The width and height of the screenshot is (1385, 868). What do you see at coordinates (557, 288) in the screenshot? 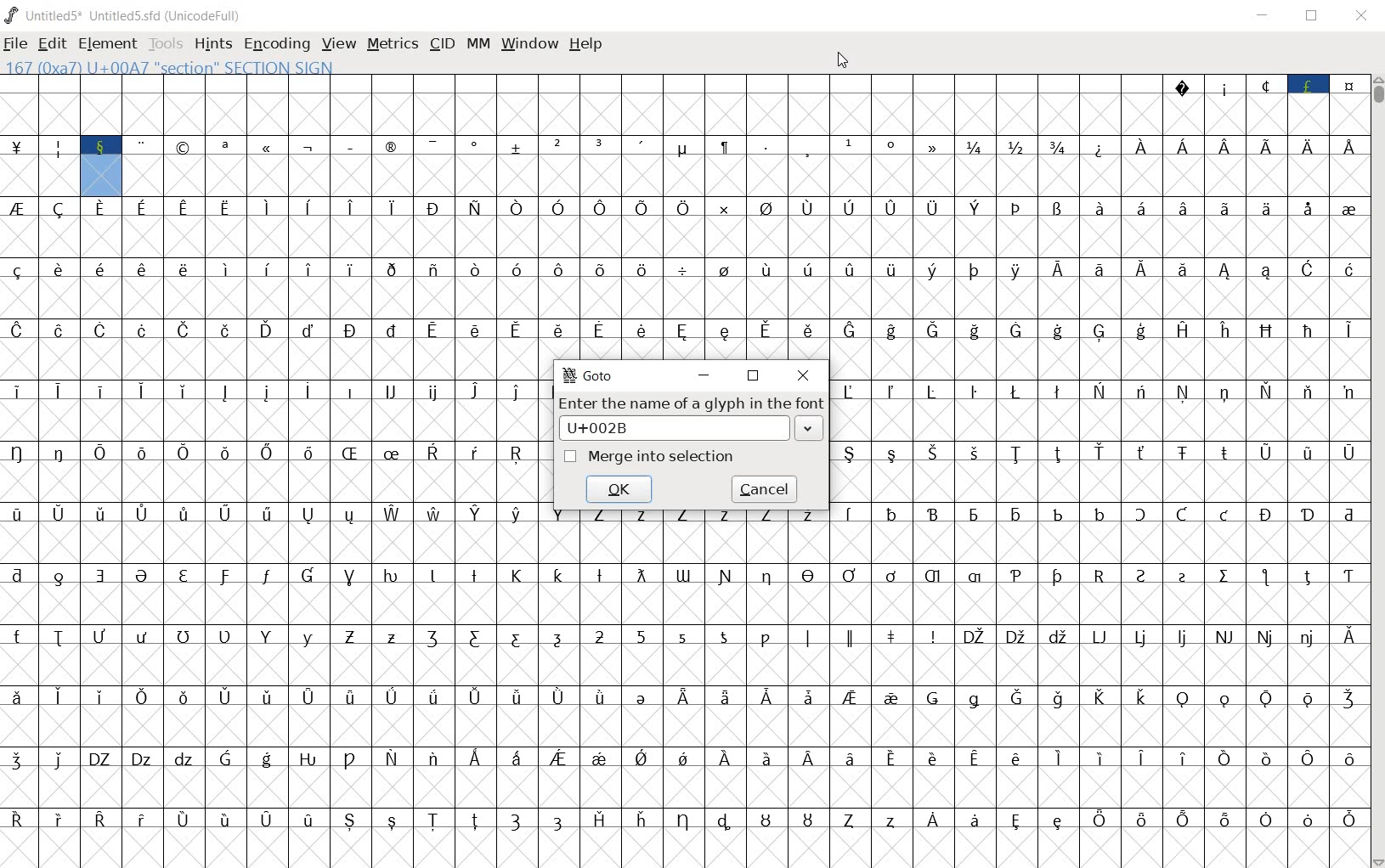
I see `Latin extended characters` at bounding box center [557, 288].